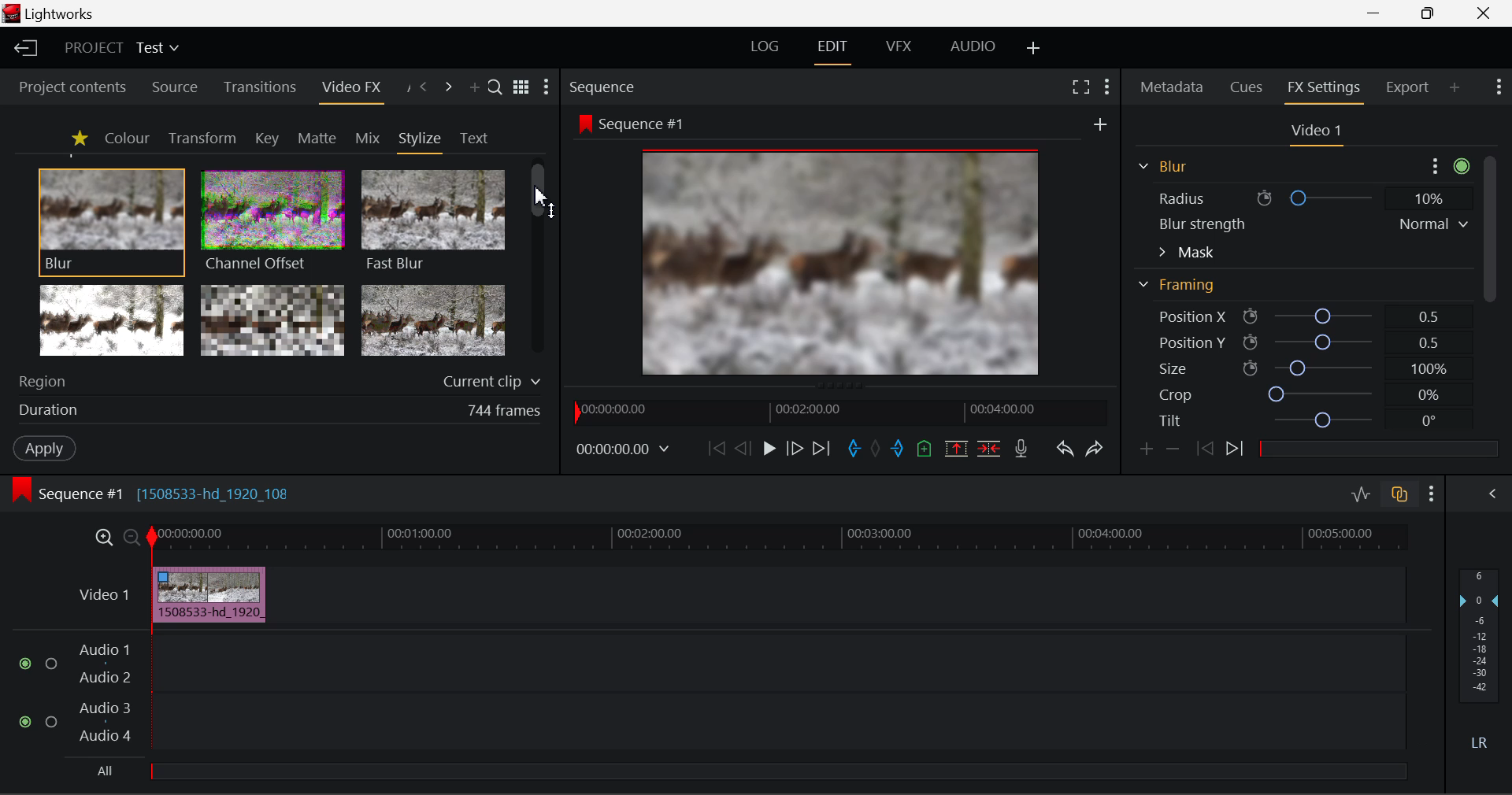  What do you see at coordinates (1429, 14) in the screenshot?
I see `Minimize` at bounding box center [1429, 14].